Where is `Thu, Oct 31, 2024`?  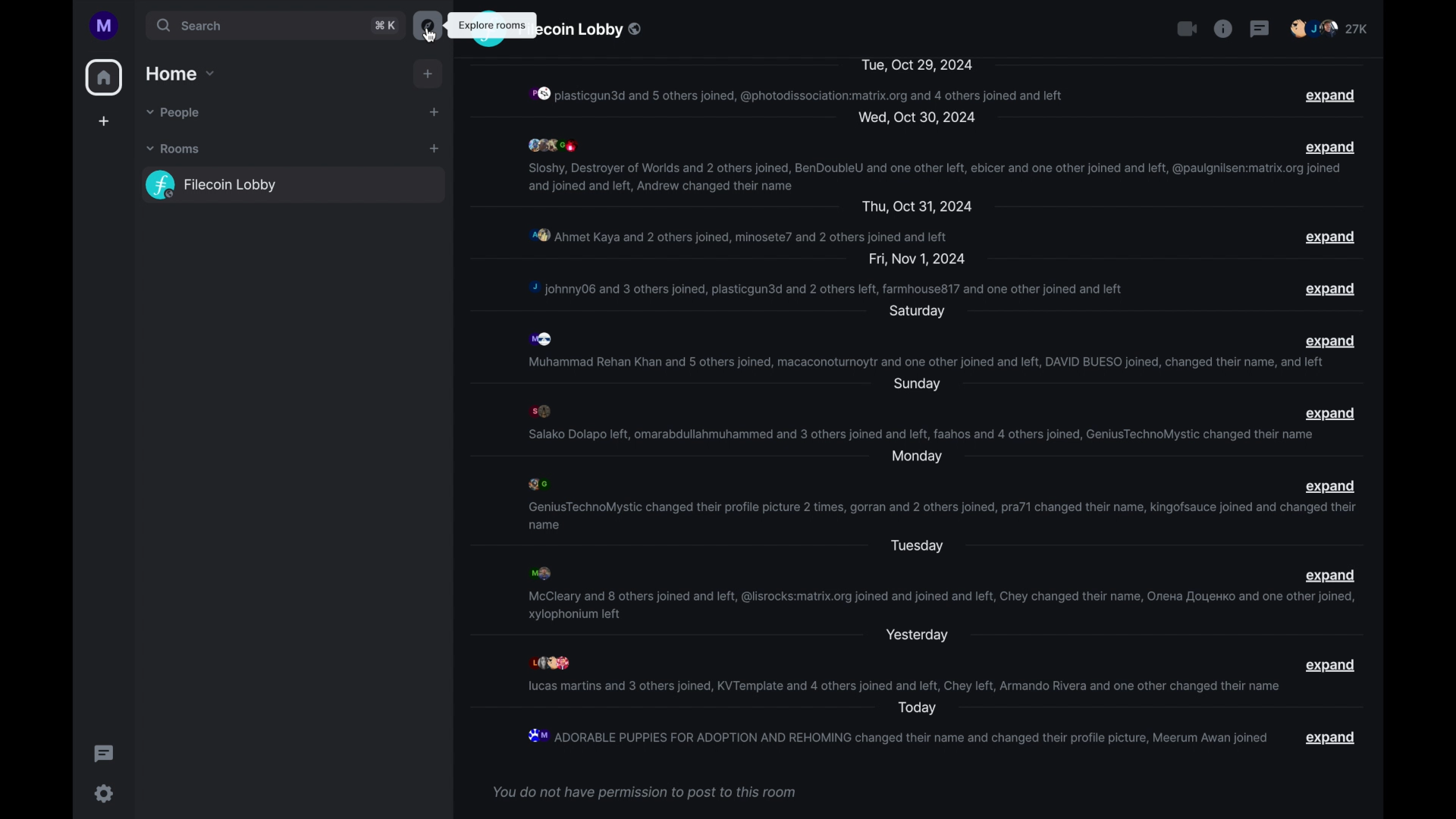 Thu, Oct 31, 2024 is located at coordinates (919, 209).